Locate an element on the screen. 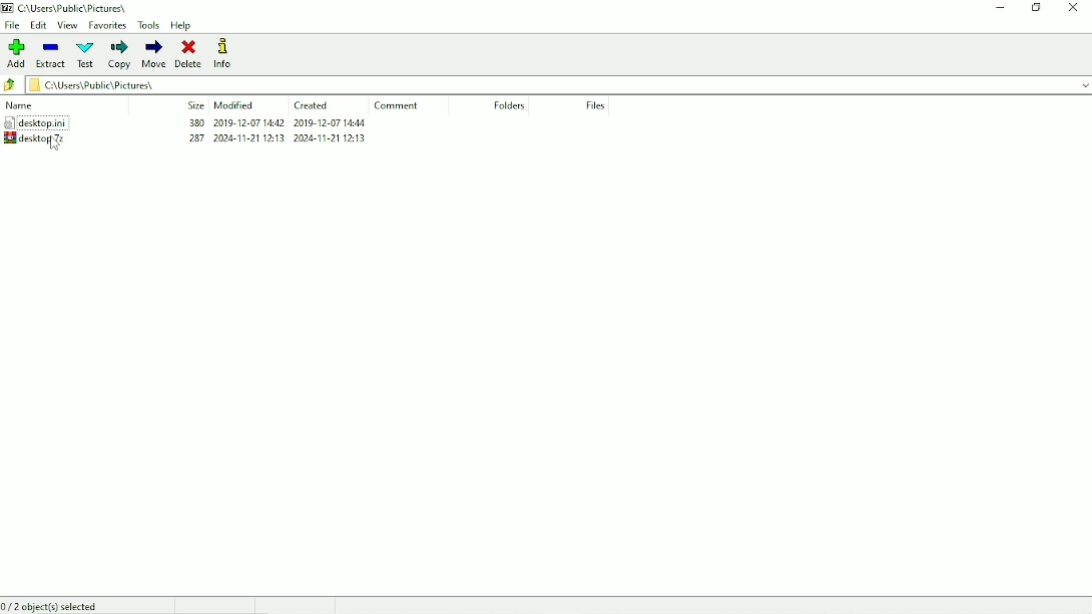 Image resolution: width=1092 pixels, height=614 pixels. c/Users\Publc\ Pictures is located at coordinates (79, 8).